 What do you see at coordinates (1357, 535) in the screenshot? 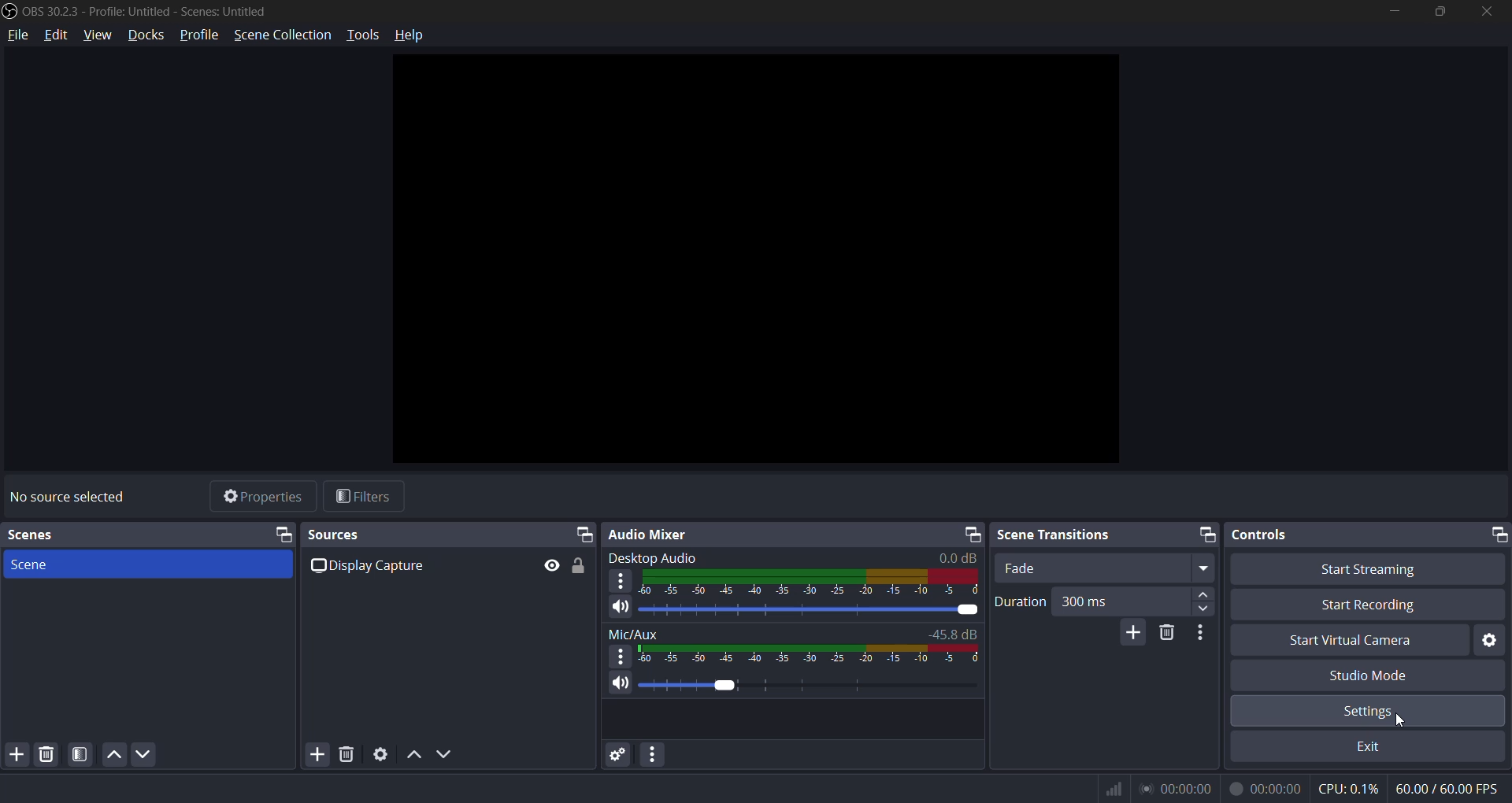
I see `controls` at bounding box center [1357, 535].